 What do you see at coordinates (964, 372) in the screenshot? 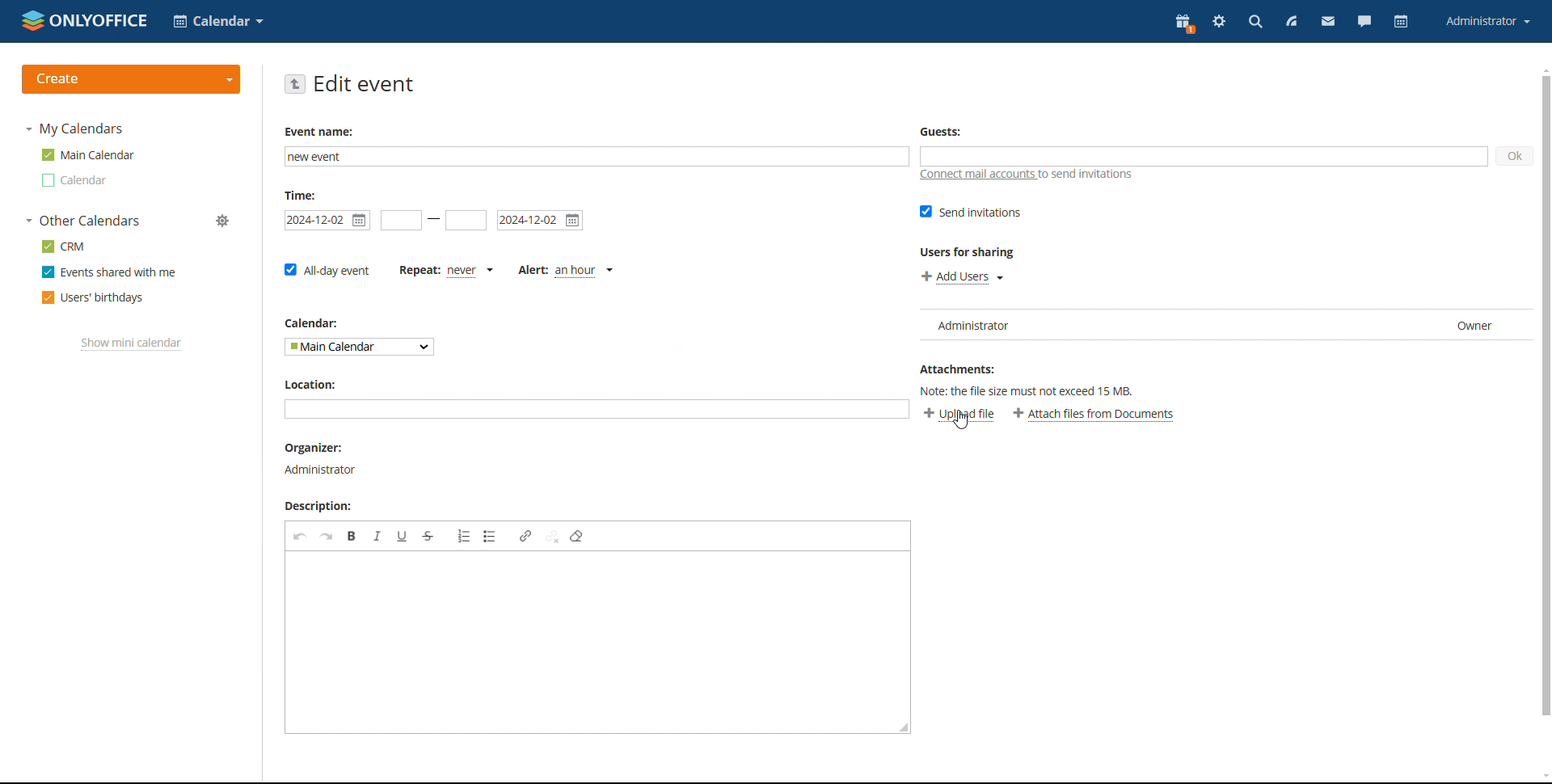
I see `attachments` at bounding box center [964, 372].